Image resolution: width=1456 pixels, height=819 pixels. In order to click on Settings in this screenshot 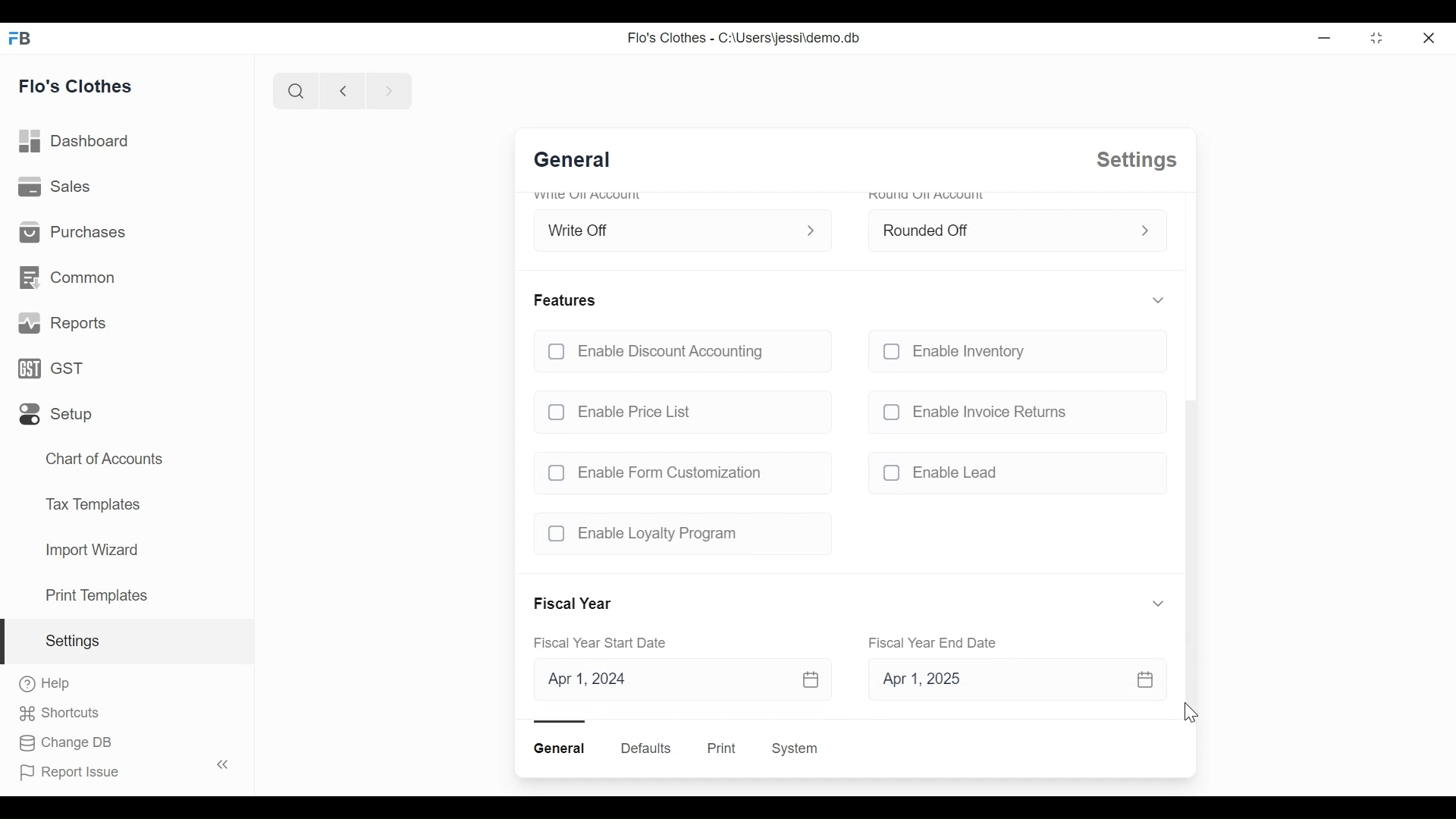, I will do `click(1134, 160)`.